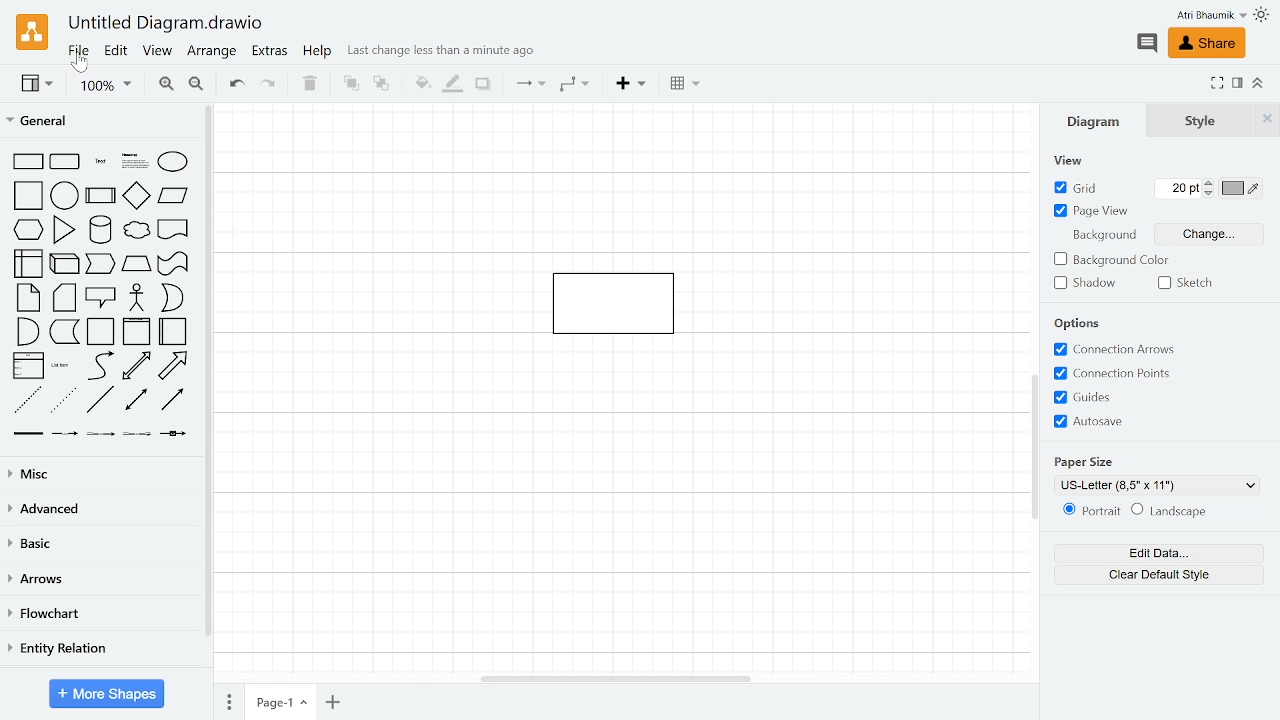 This screenshot has width=1280, height=720. What do you see at coordinates (332, 702) in the screenshot?
I see `Add page` at bounding box center [332, 702].